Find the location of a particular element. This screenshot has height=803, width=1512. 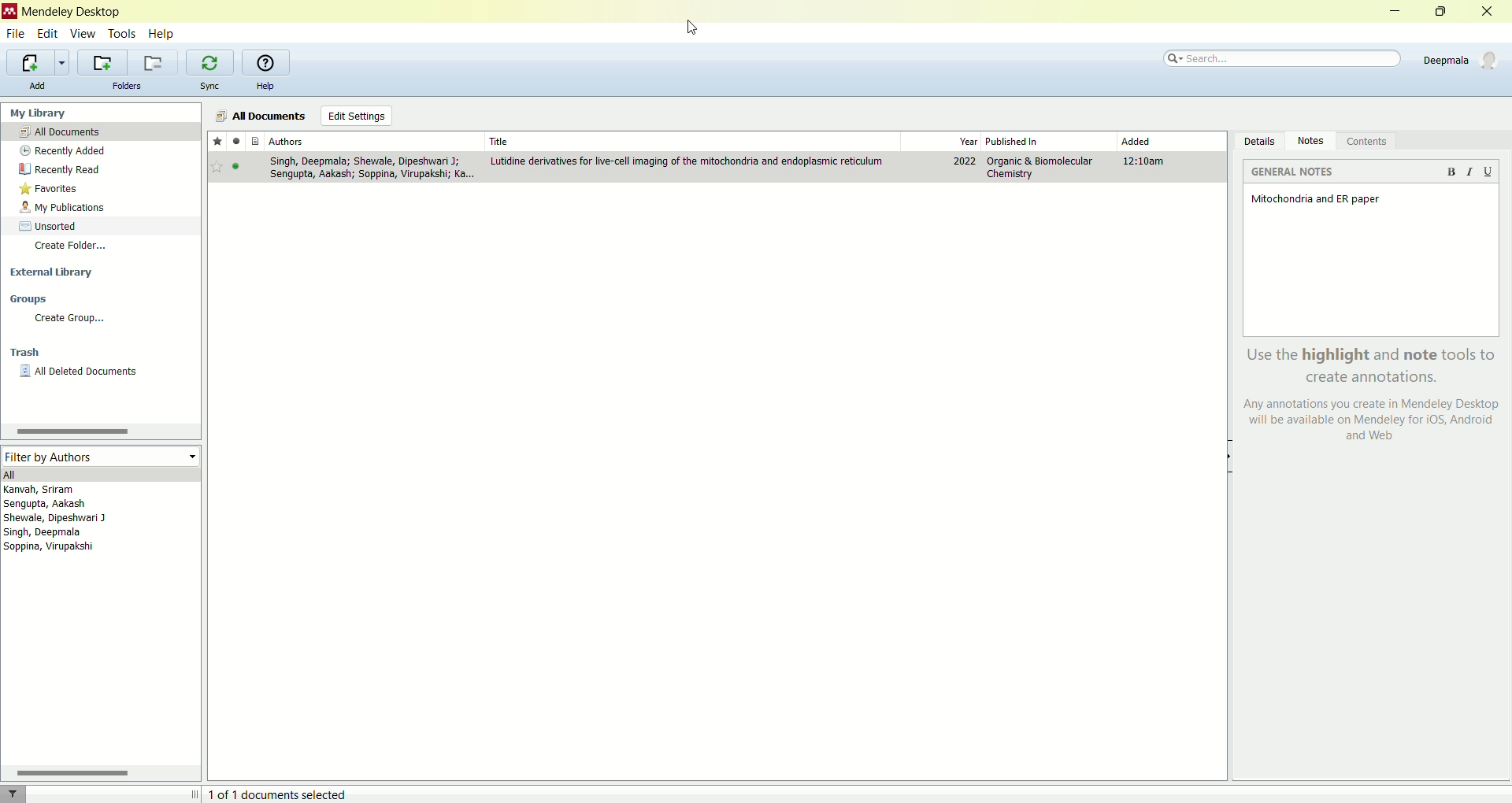

Kanvah, Sriram is located at coordinates (83, 489).